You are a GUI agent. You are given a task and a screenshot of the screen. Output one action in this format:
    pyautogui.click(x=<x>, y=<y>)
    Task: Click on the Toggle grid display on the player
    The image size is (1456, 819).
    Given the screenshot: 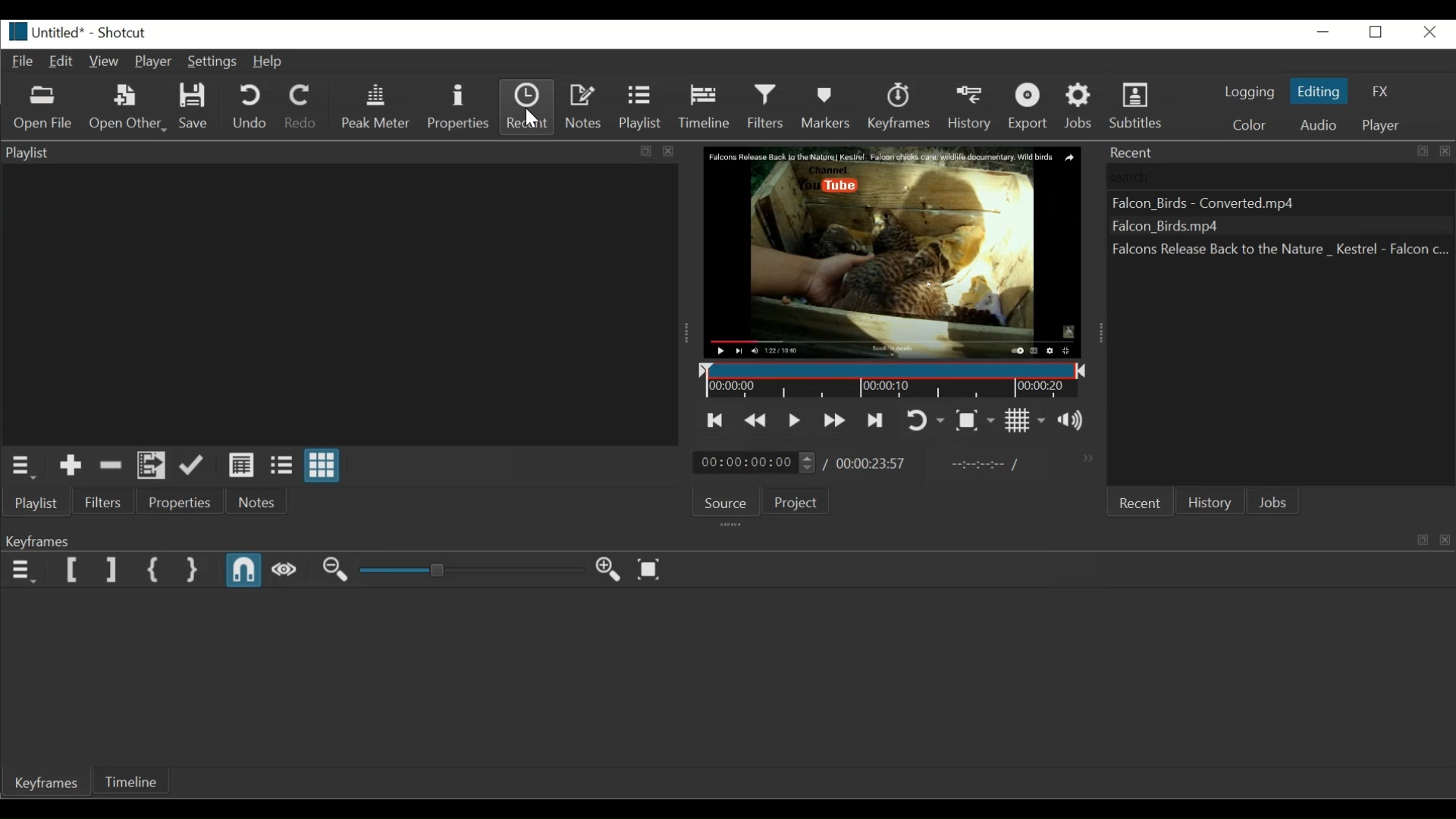 What is the action you would take?
    pyautogui.click(x=1025, y=421)
    